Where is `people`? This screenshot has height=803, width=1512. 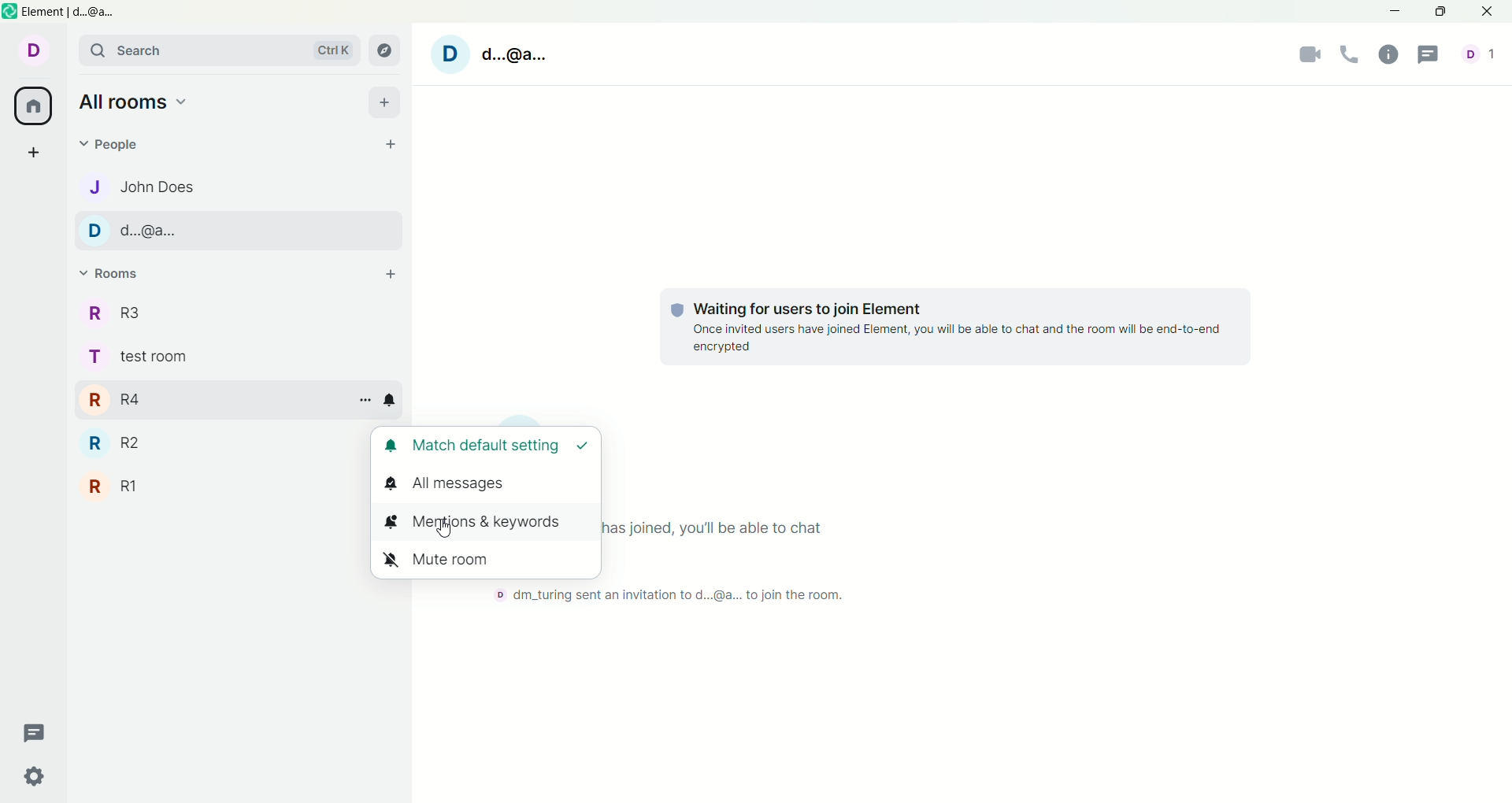 people is located at coordinates (117, 146).